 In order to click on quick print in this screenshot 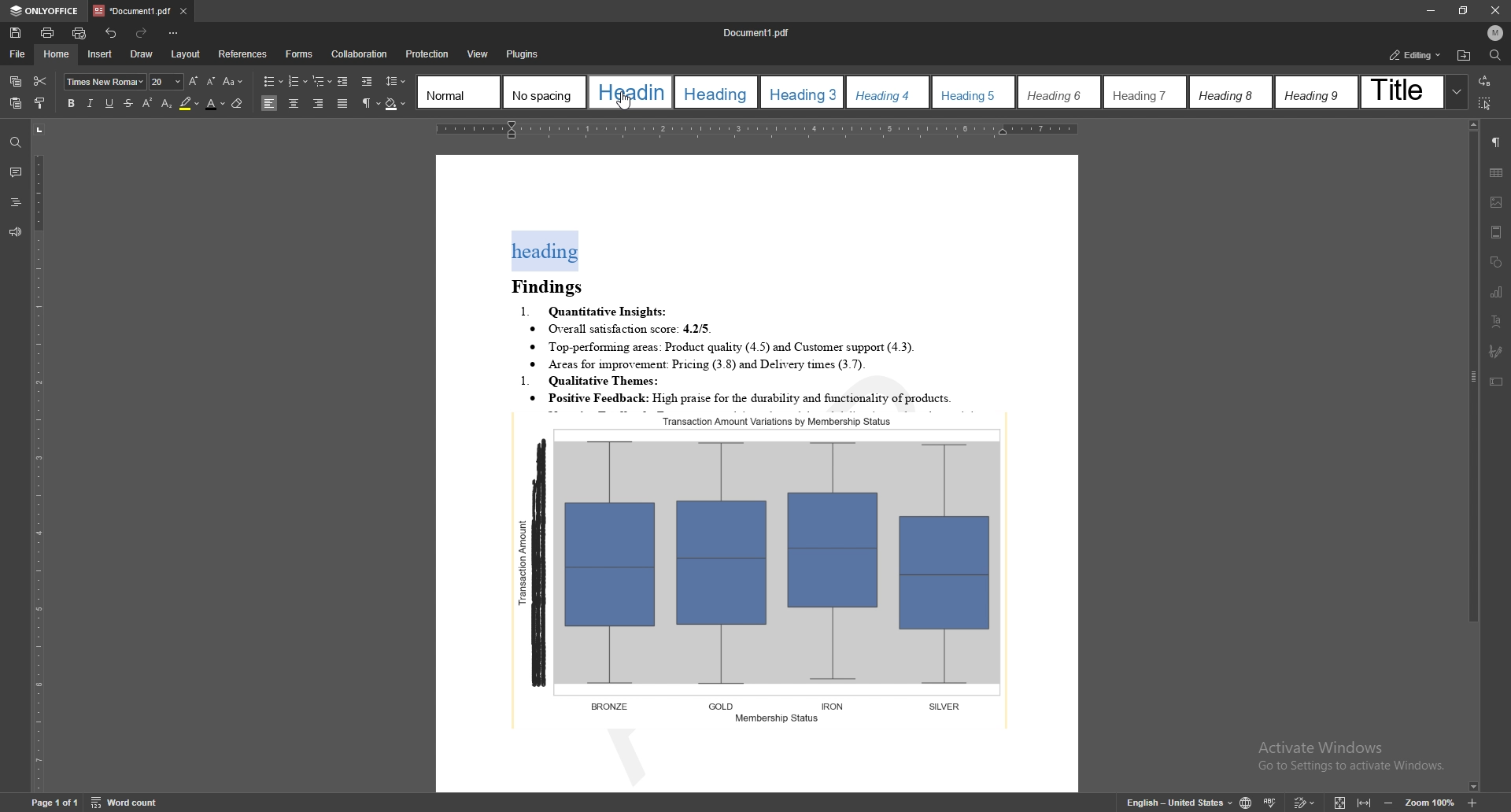, I will do `click(79, 34)`.